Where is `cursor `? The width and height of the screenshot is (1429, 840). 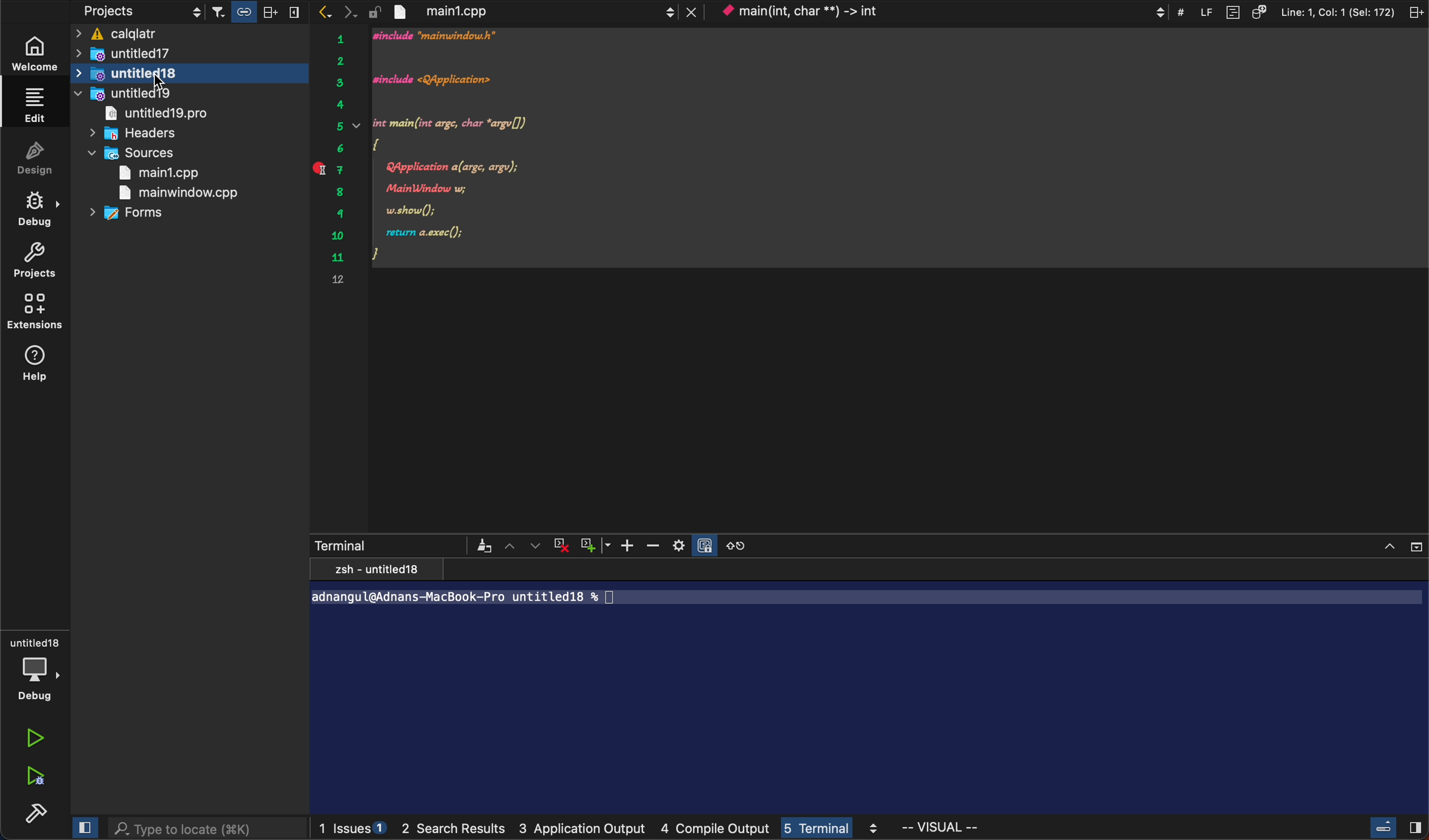
cursor  is located at coordinates (157, 82).